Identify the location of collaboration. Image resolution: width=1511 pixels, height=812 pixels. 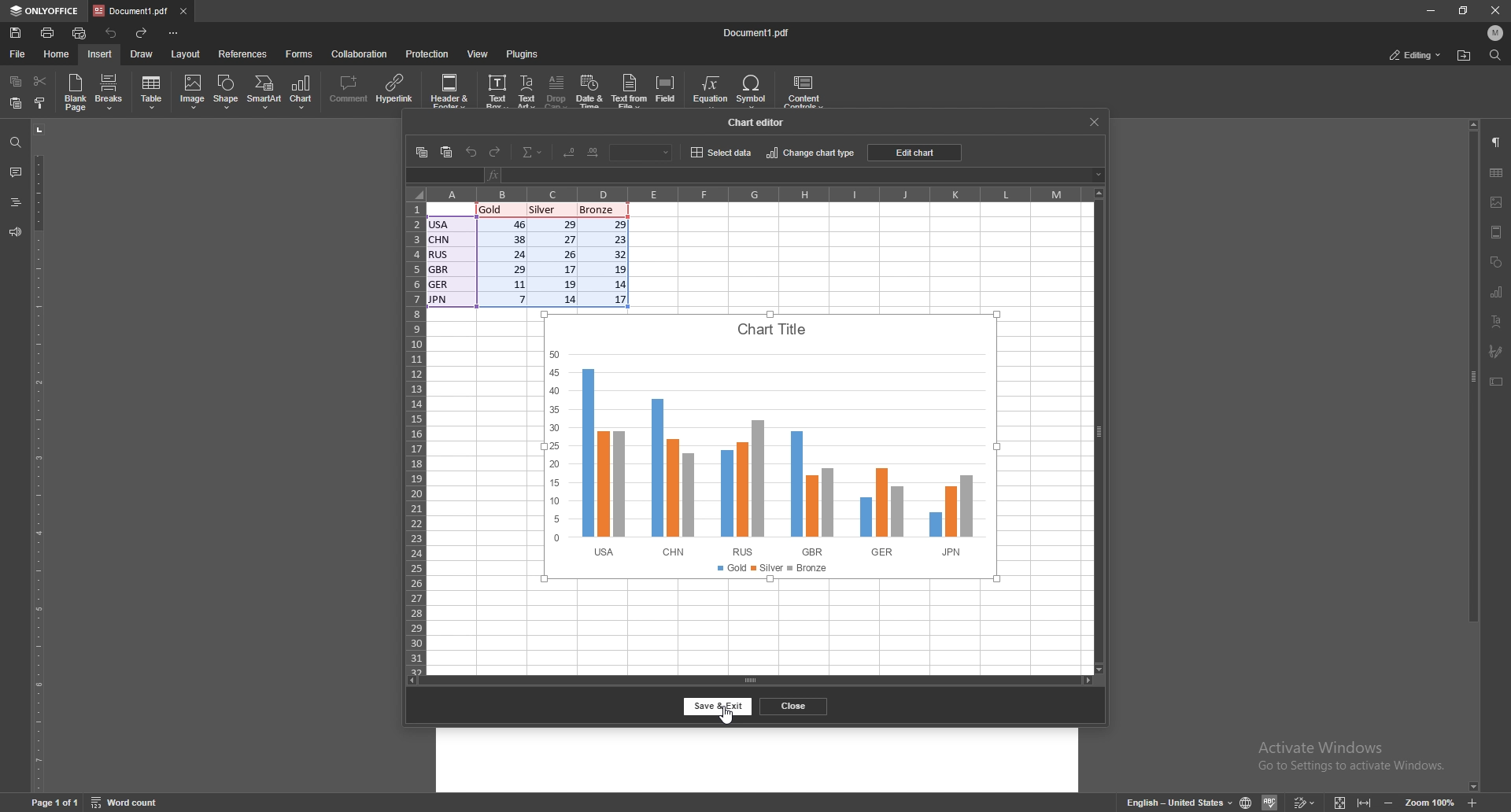
(361, 54).